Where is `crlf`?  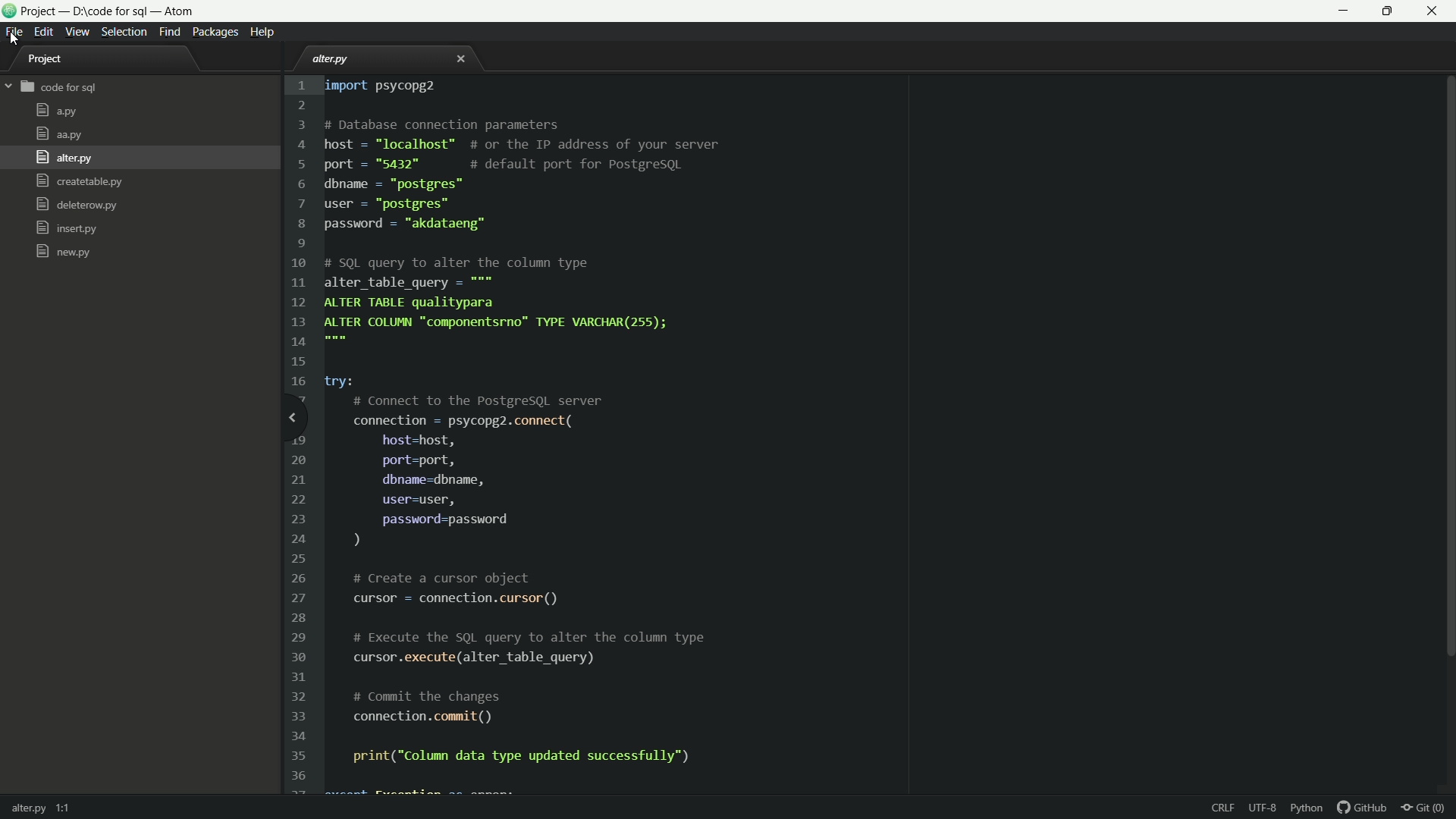 crlf is located at coordinates (1225, 809).